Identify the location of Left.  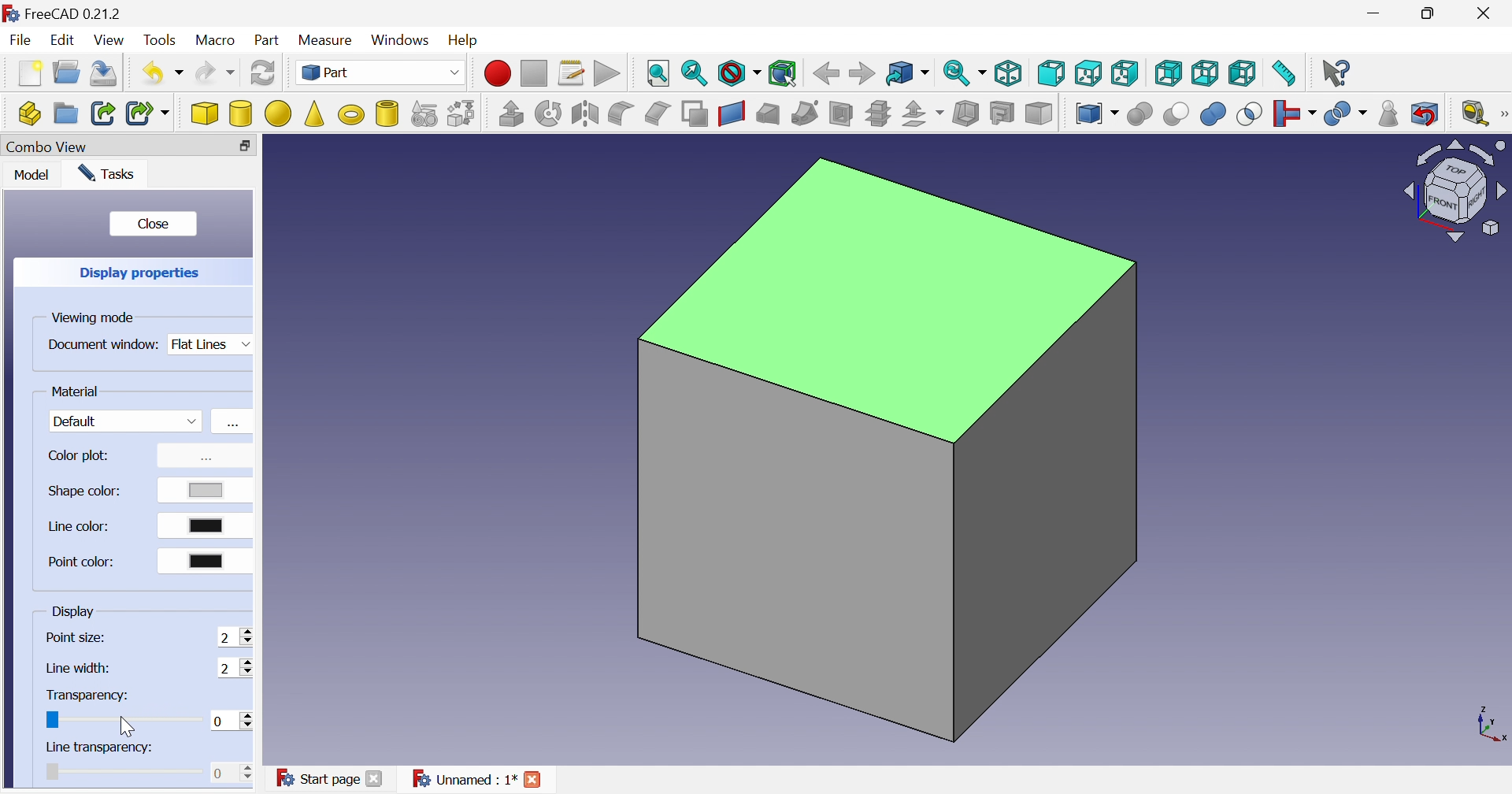
(1243, 74).